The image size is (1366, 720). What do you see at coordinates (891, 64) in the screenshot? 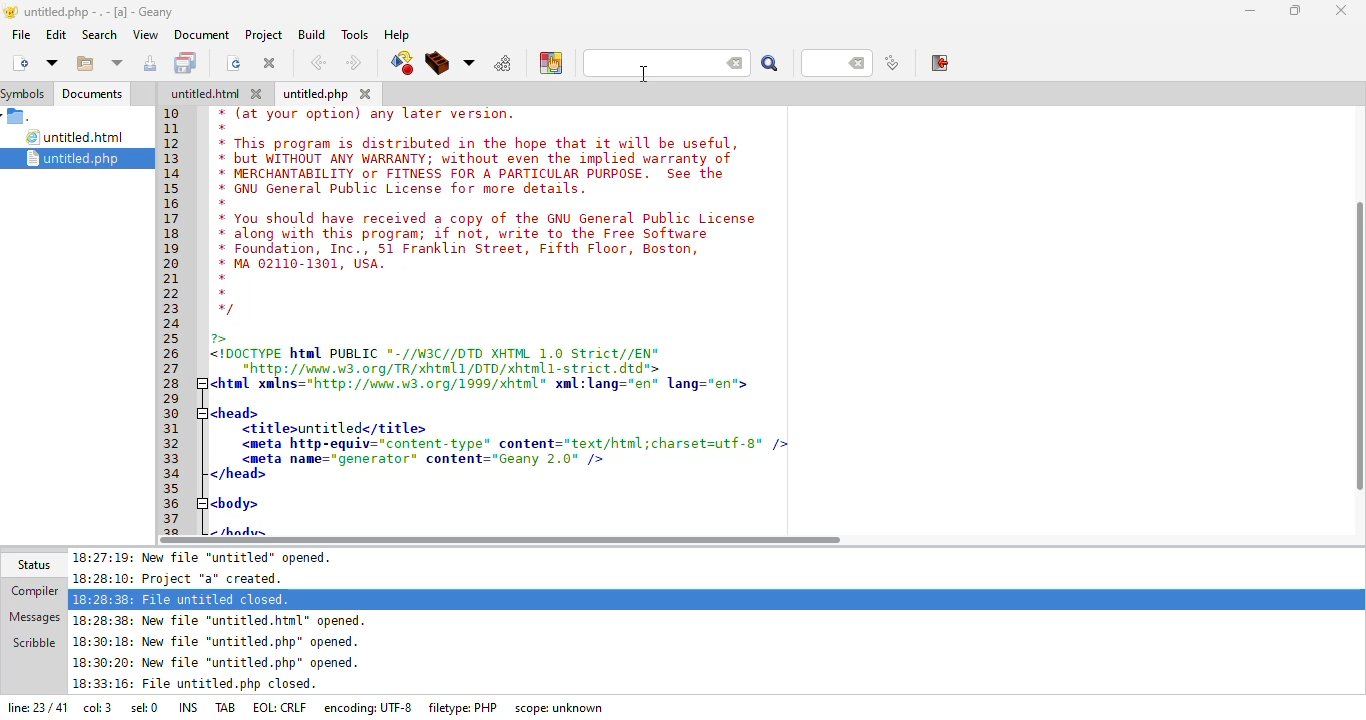
I see `jump to line` at bounding box center [891, 64].